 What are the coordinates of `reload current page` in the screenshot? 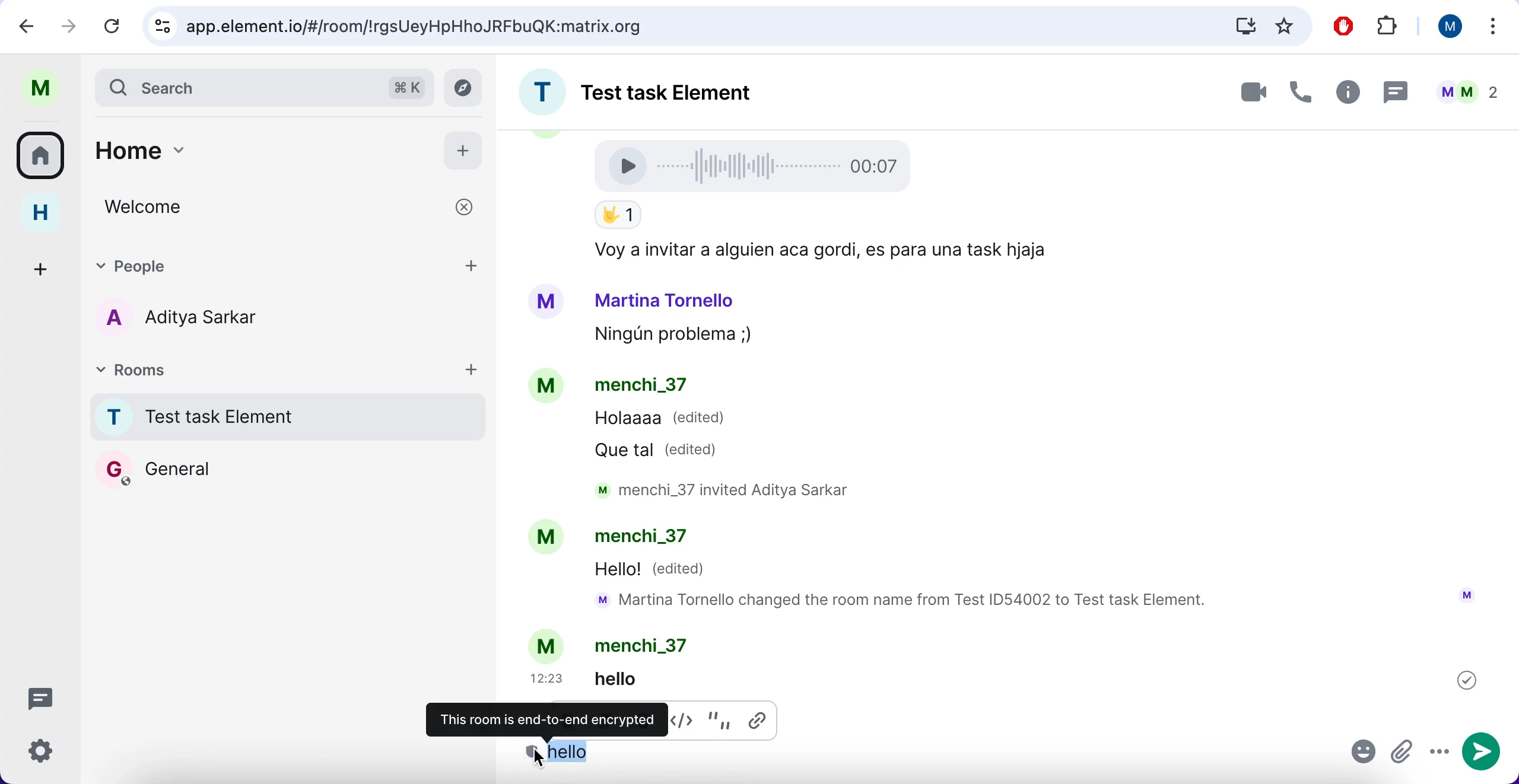 It's located at (112, 26).